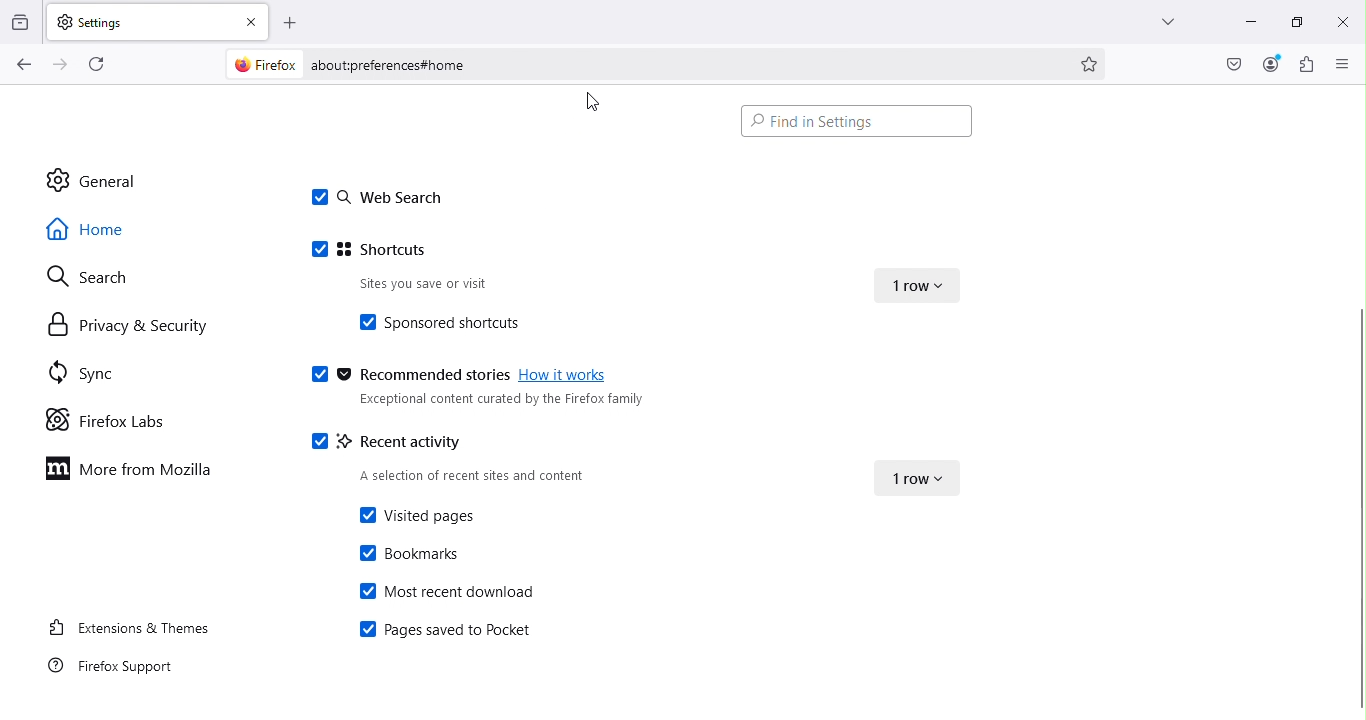 This screenshot has width=1366, height=720. Describe the element at coordinates (411, 553) in the screenshot. I see `Bookmarks` at that location.